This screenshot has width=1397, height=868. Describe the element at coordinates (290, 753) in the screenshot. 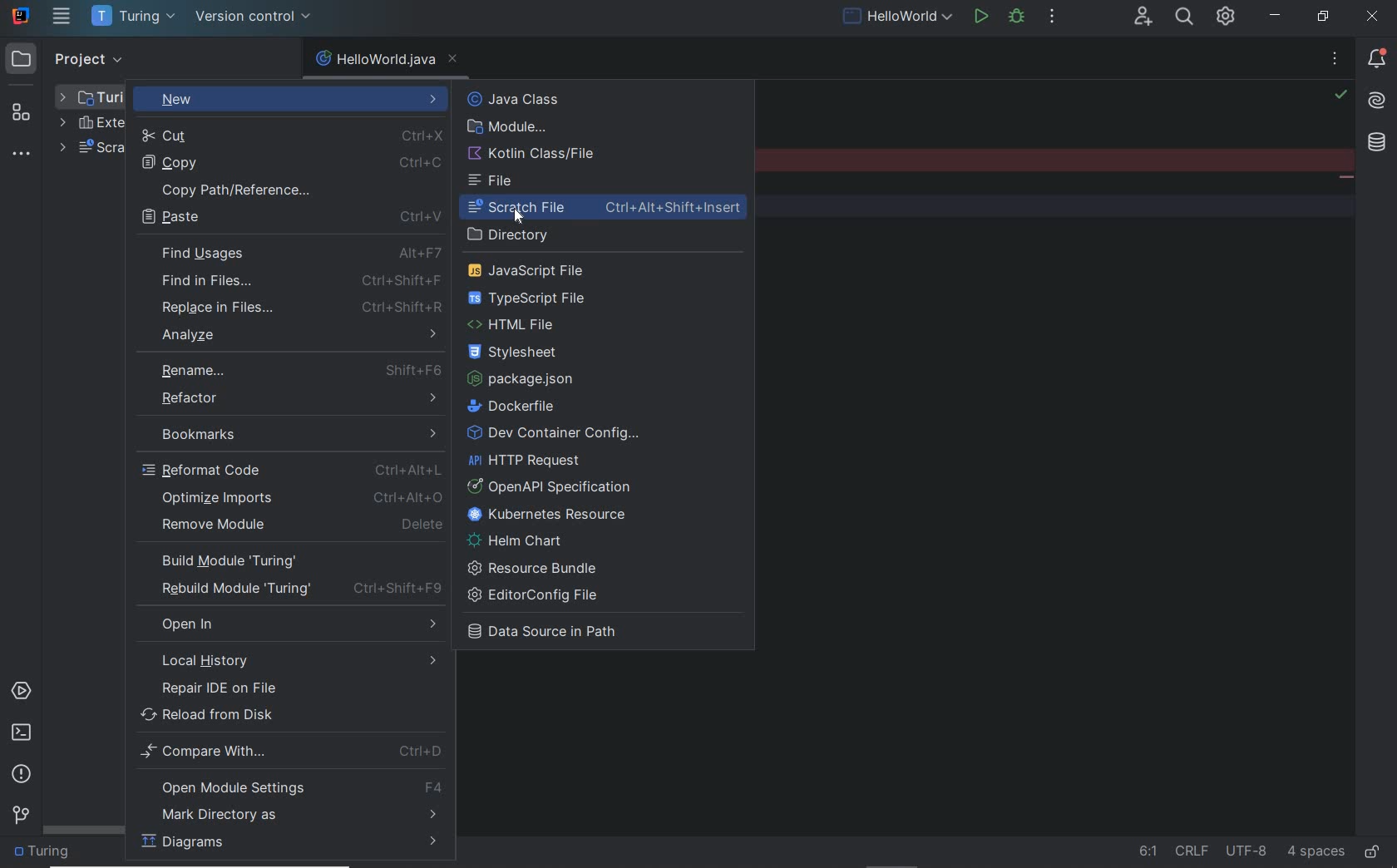

I see `compare with` at that location.